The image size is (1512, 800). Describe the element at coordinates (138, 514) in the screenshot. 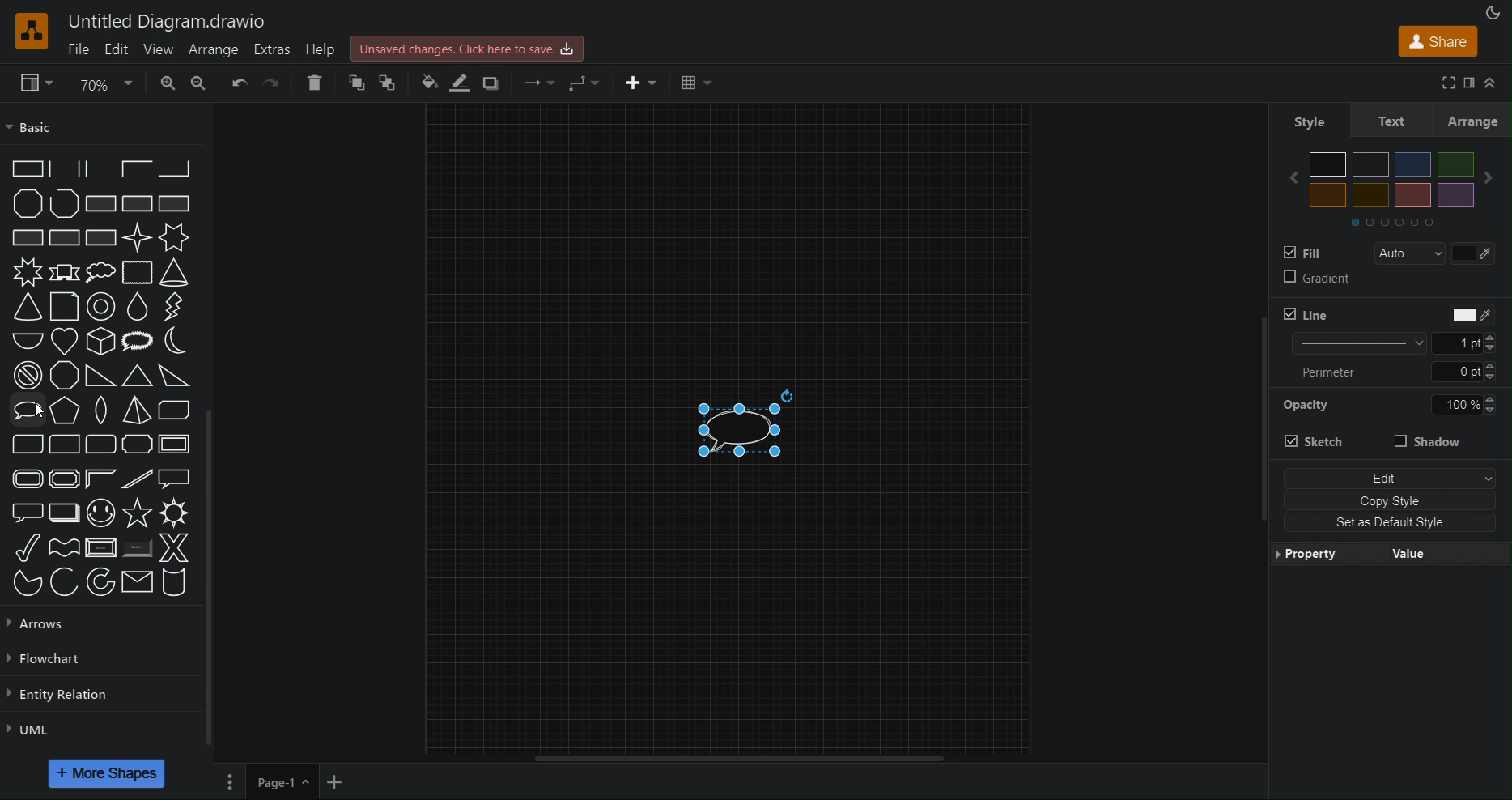

I see `Star` at that location.